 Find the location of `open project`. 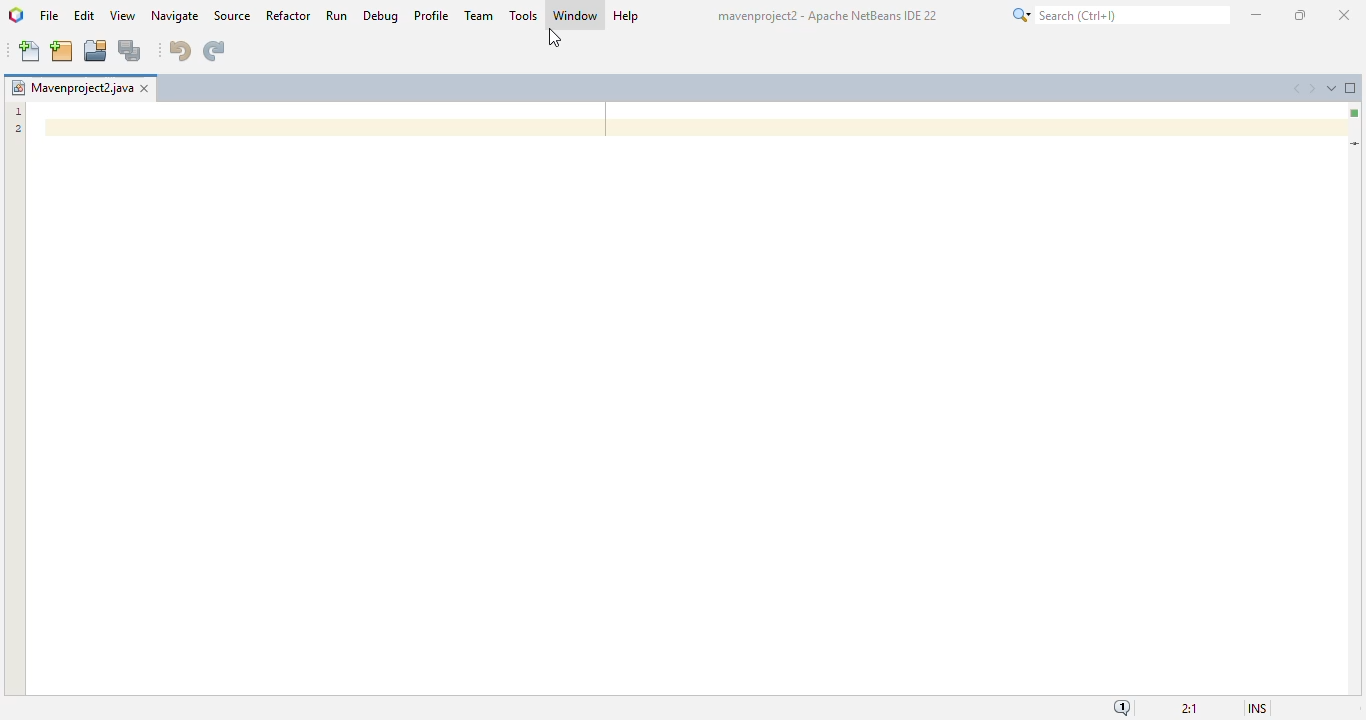

open project is located at coordinates (95, 51).